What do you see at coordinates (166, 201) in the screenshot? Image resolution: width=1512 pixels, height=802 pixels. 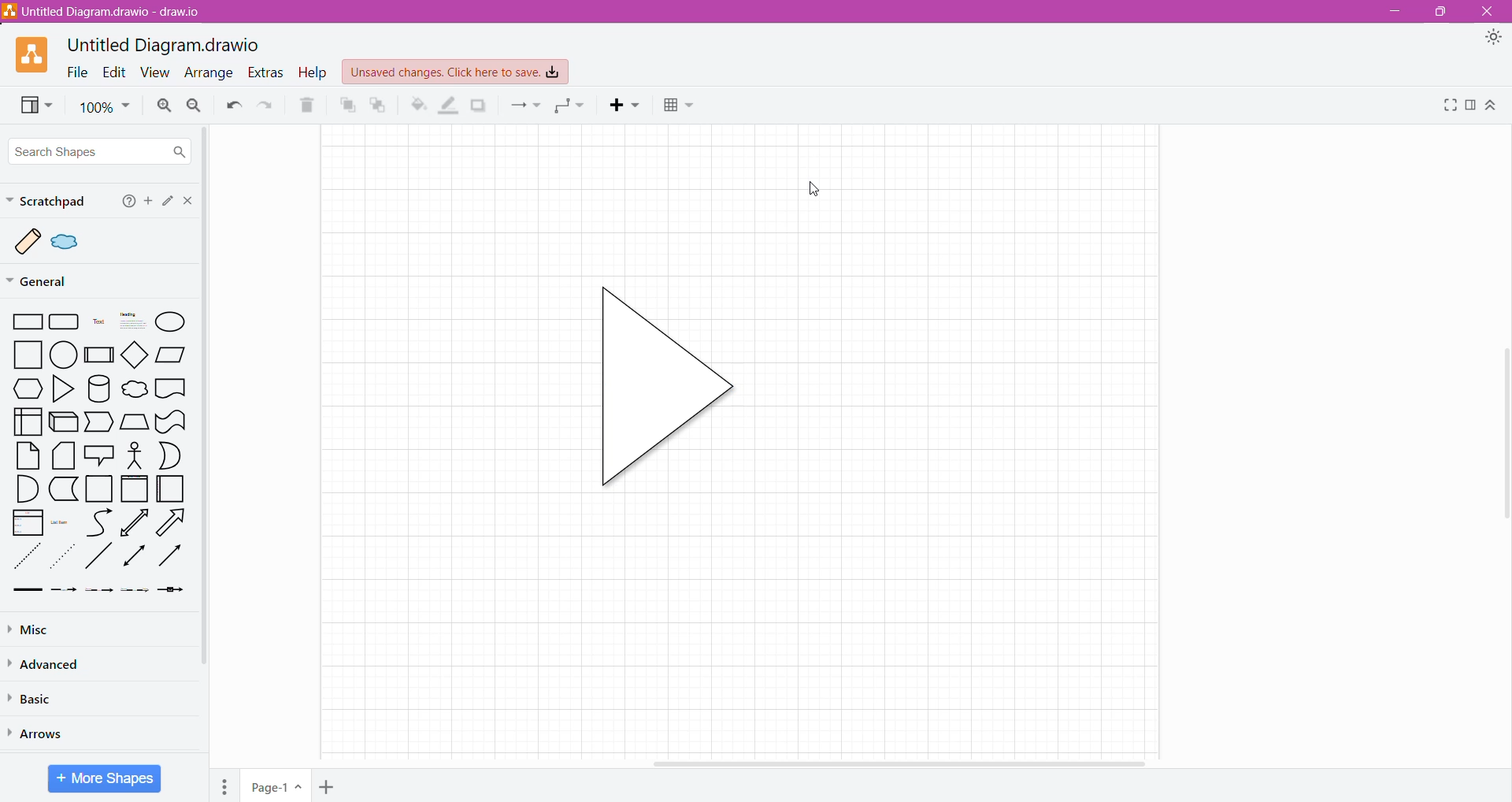 I see `Edit` at bounding box center [166, 201].